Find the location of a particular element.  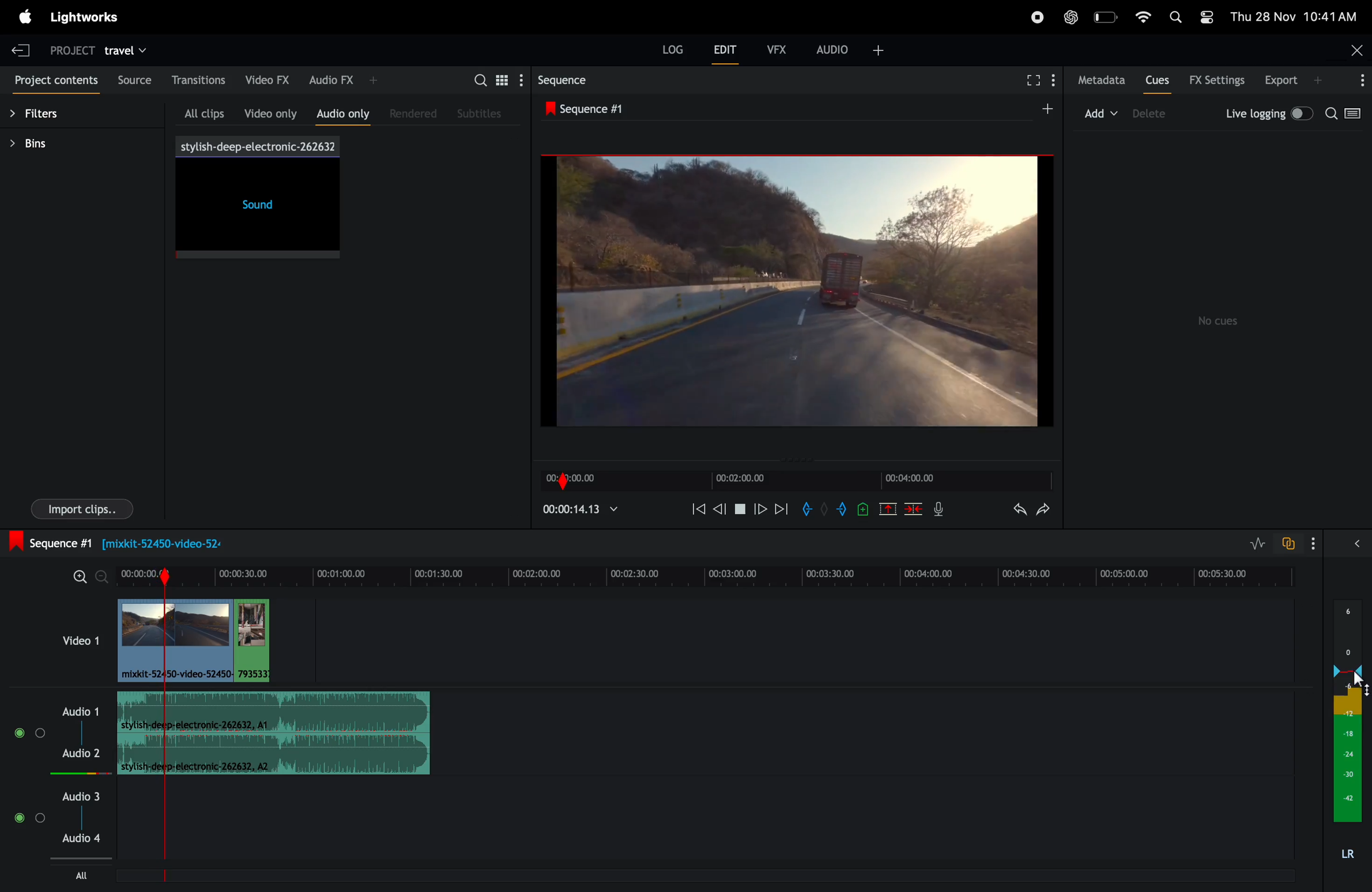

search for assets  bin is located at coordinates (495, 80).